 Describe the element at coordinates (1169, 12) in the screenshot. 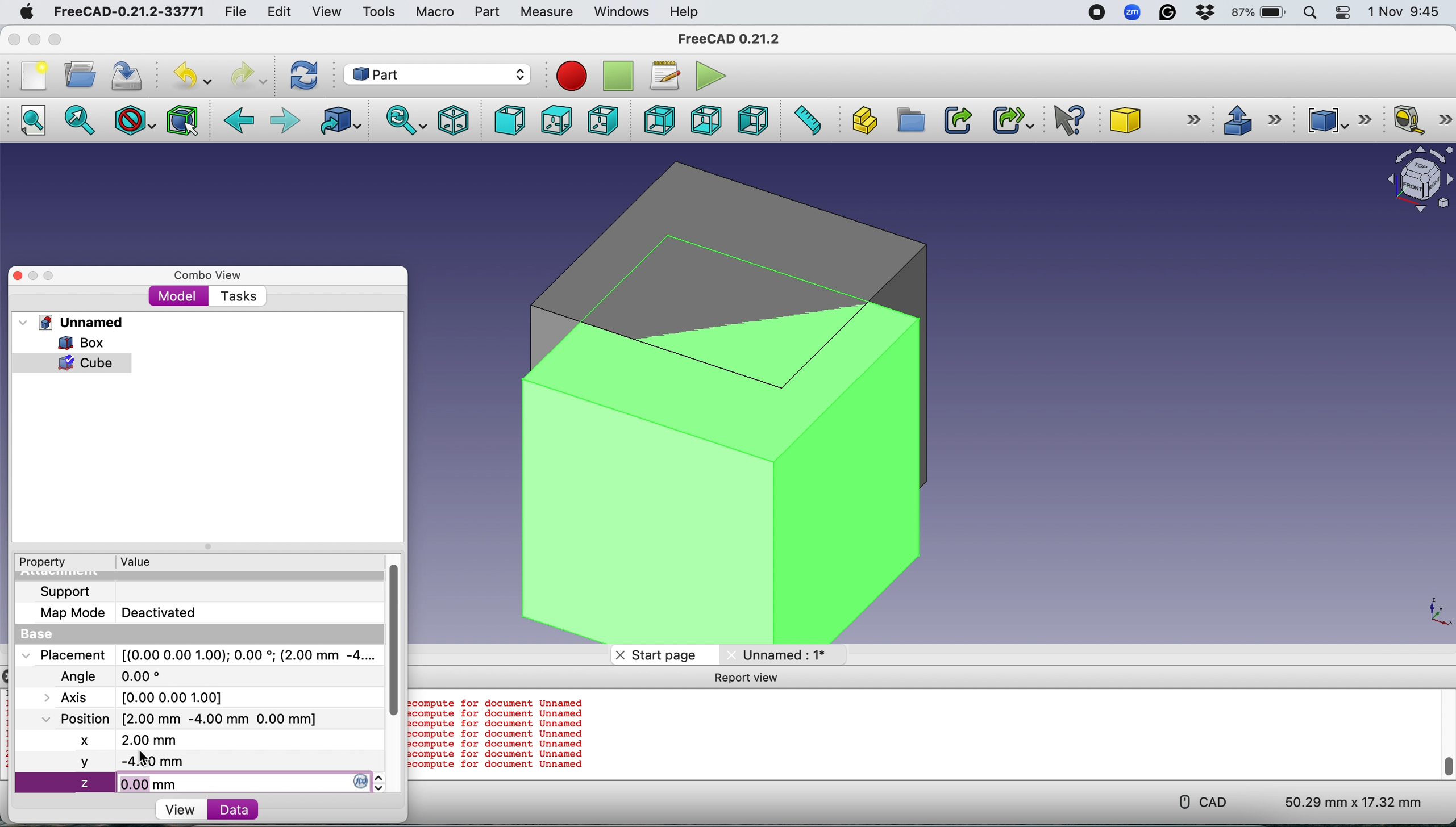

I see `Grammarly` at that location.